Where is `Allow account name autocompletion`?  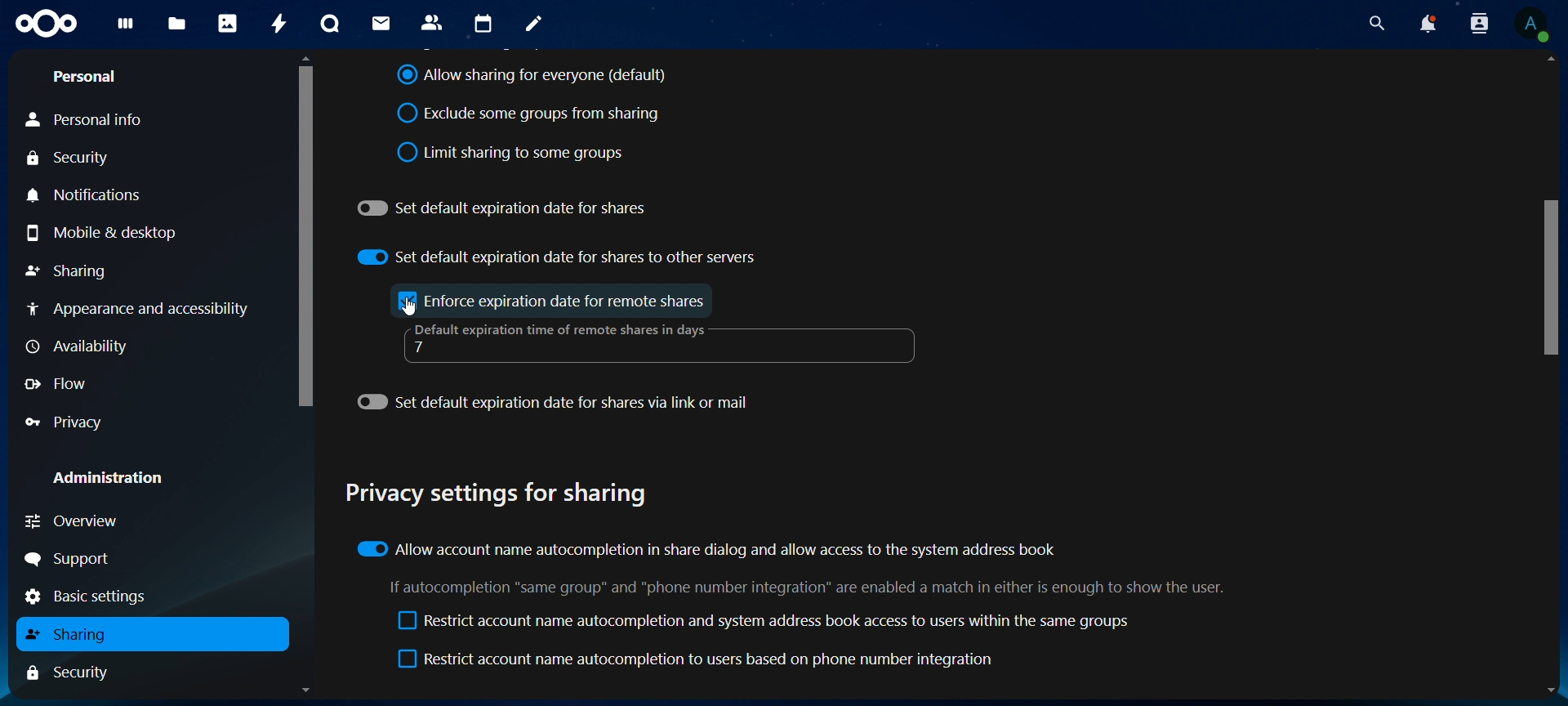 Allow account name autocompletion is located at coordinates (710, 550).